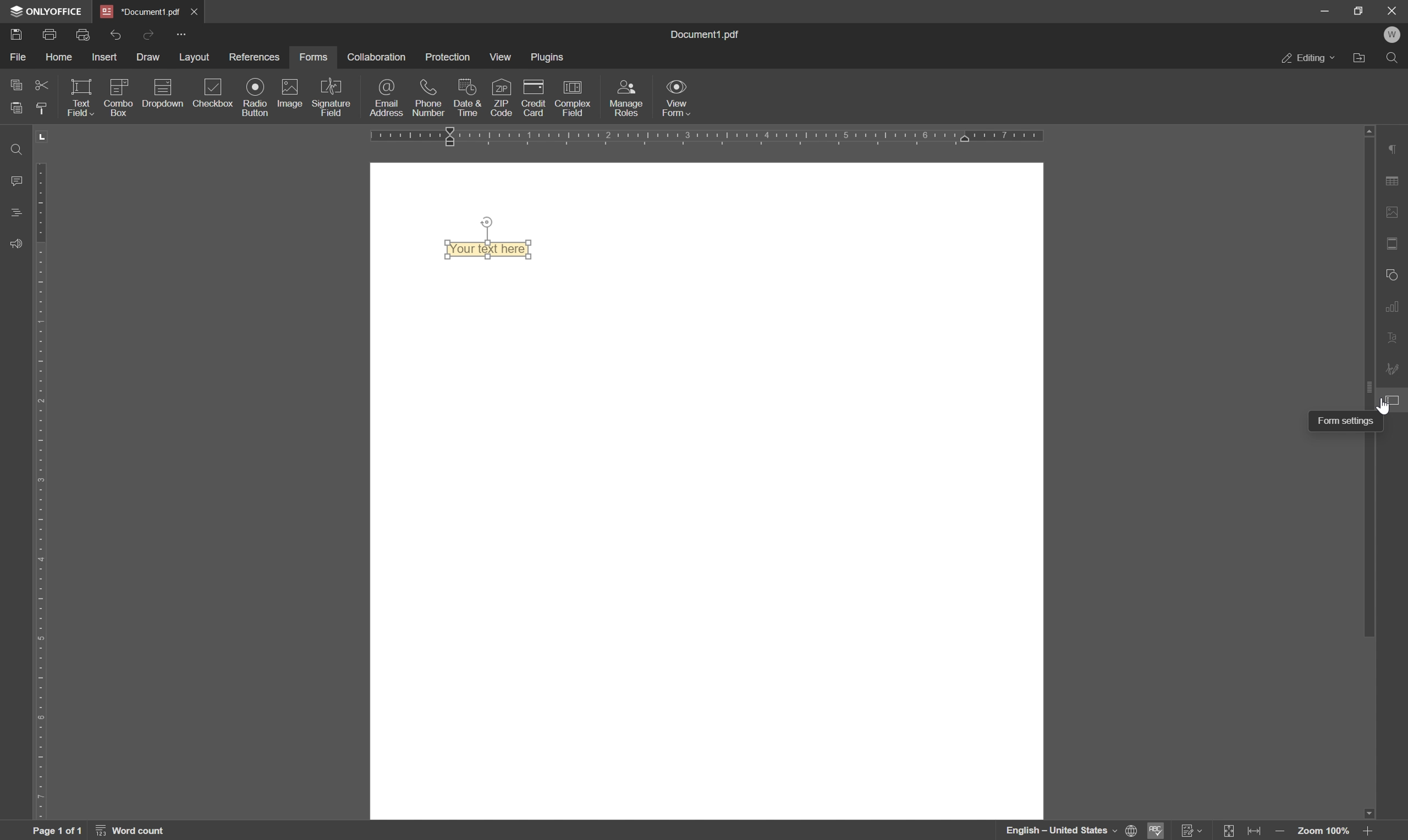  What do you see at coordinates (467, 98) in the screenshot?
I see `date and time` at bounding box center [467, 98].